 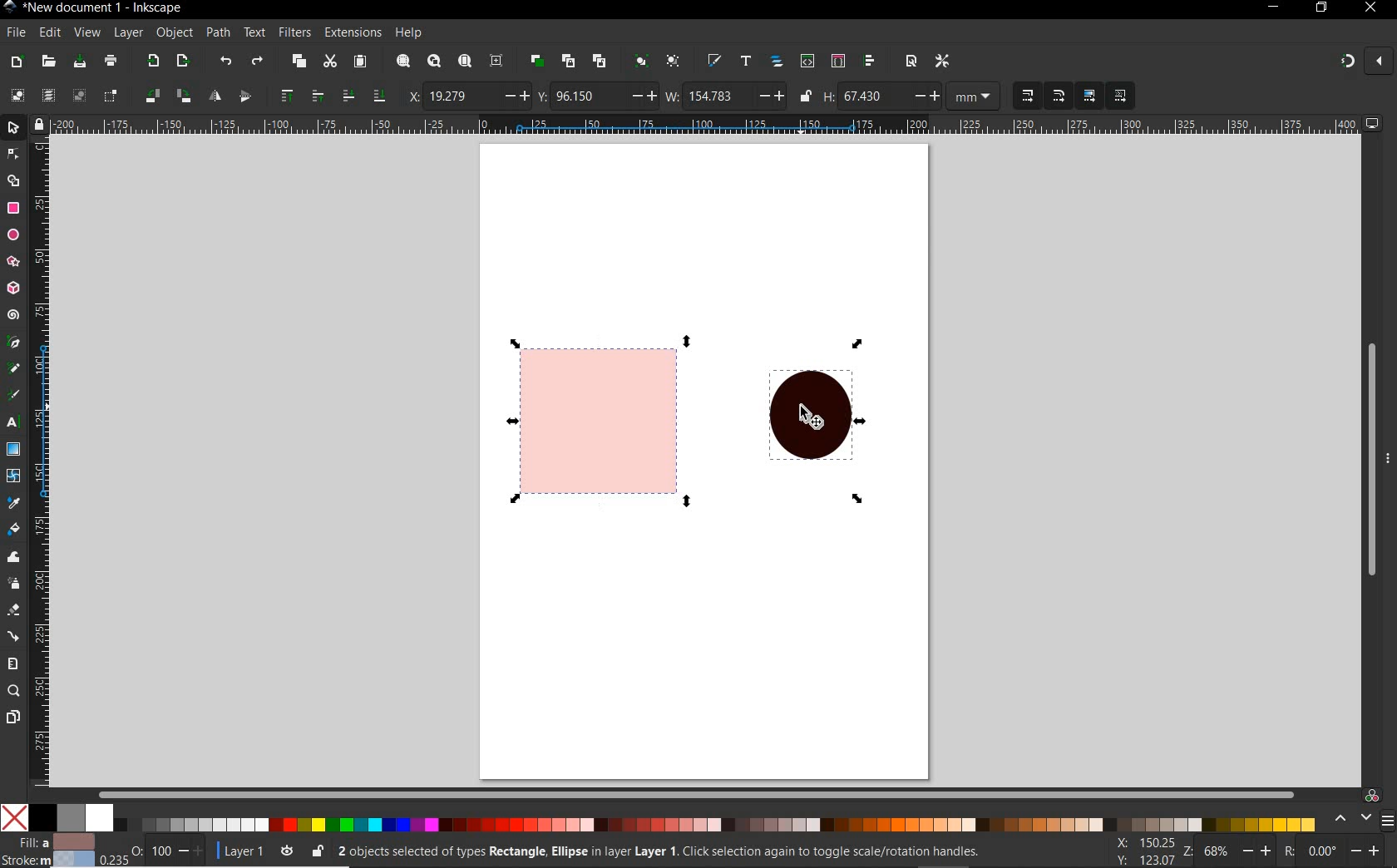 I want to click on SHAPE SELECTED, so click(x=815, y=422).